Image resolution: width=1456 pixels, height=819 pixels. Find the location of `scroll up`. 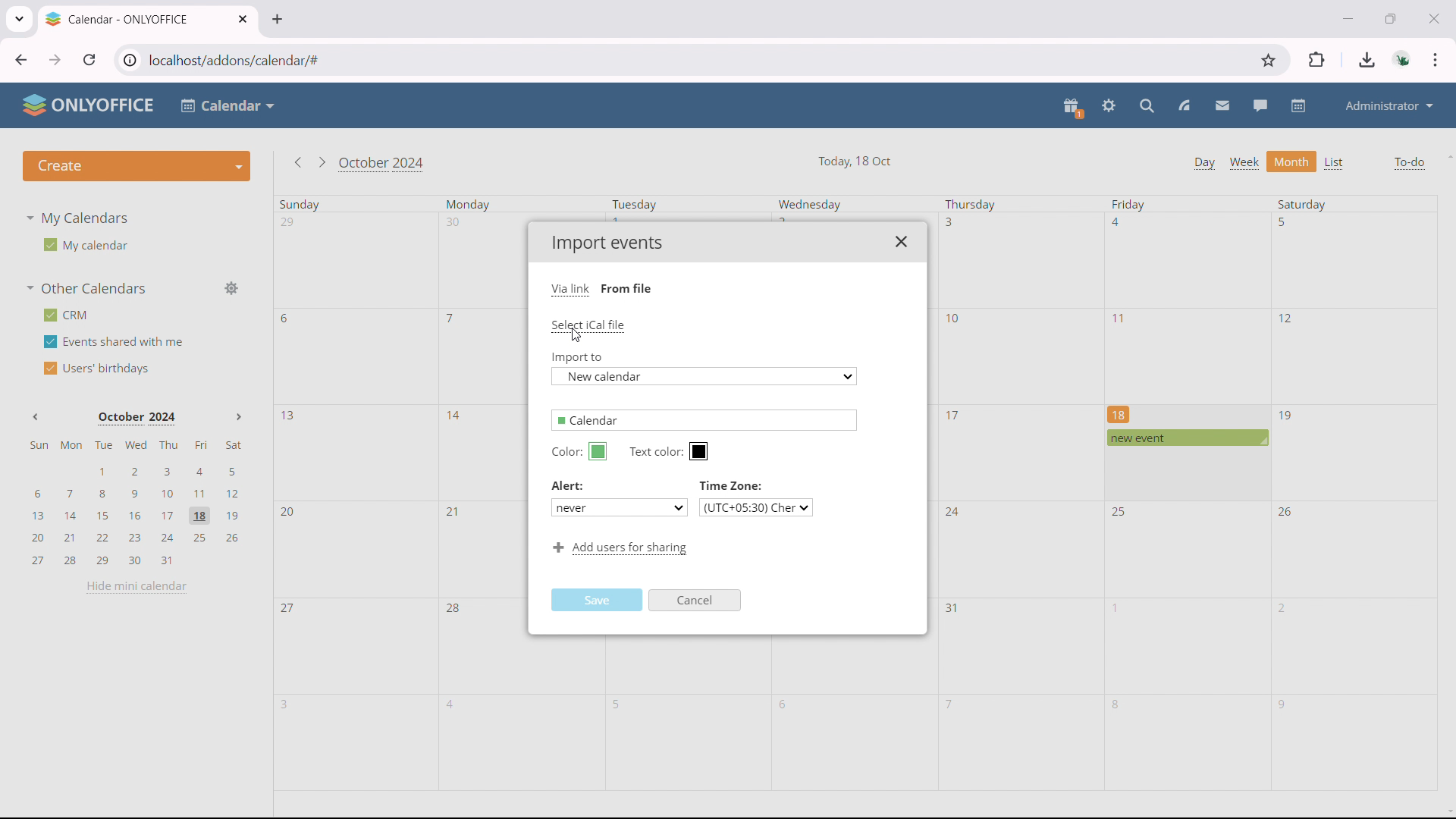

scroll up is located at coordinates (1447, 155).